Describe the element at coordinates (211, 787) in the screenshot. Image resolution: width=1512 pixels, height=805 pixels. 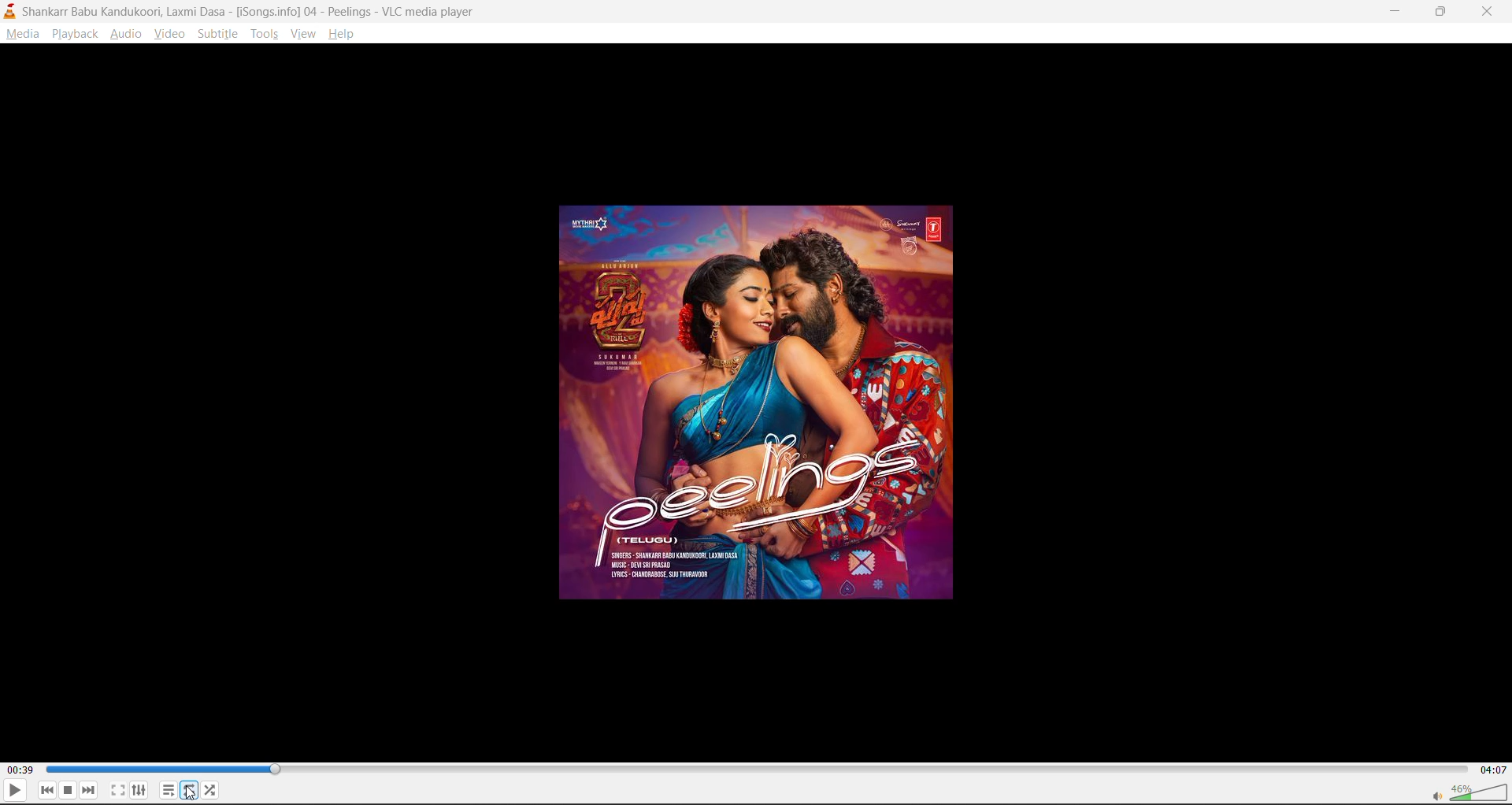
I see `random` at that location.